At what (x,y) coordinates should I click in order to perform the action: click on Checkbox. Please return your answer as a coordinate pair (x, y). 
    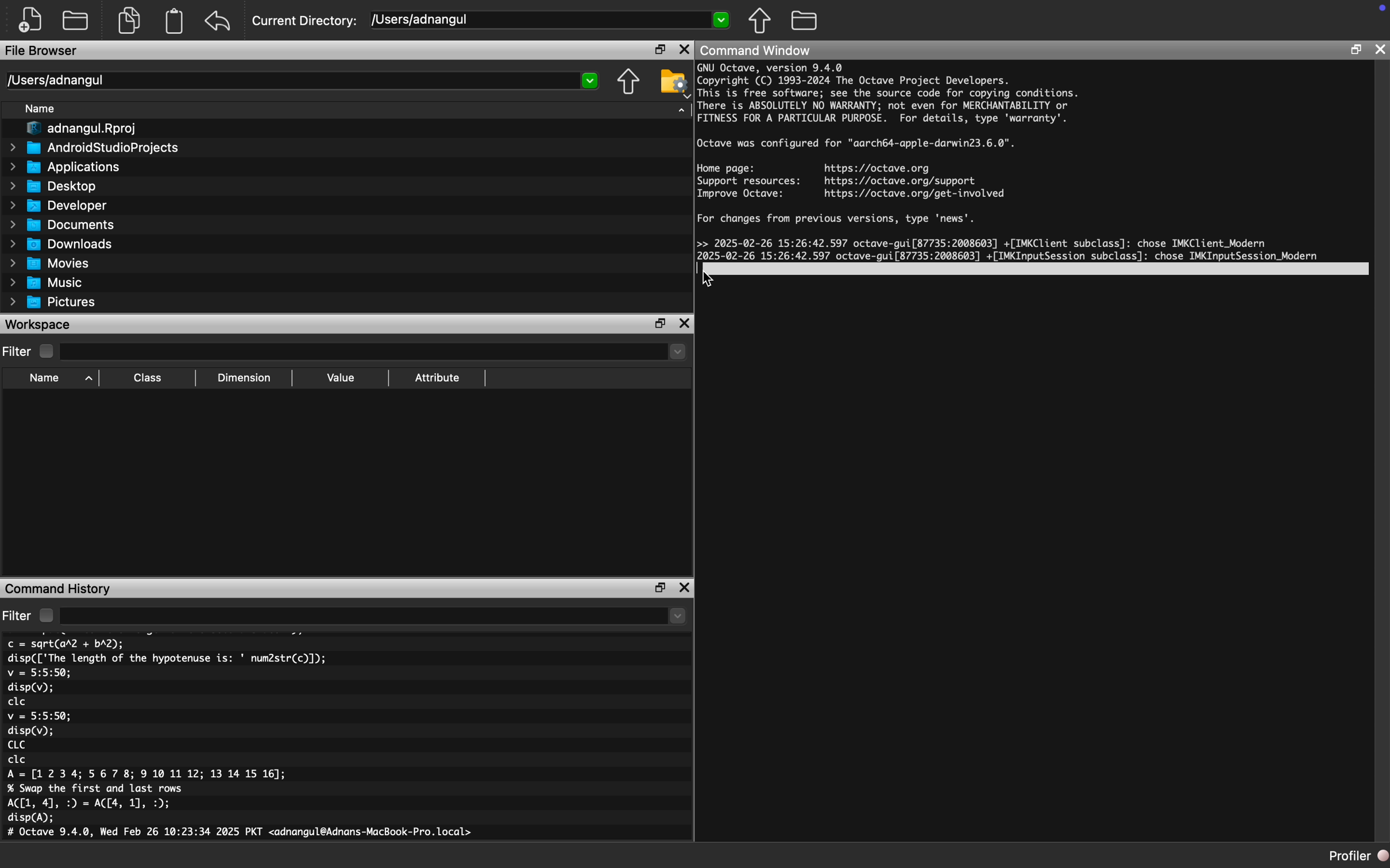
    Looking at the image, I should click on (46, 615).